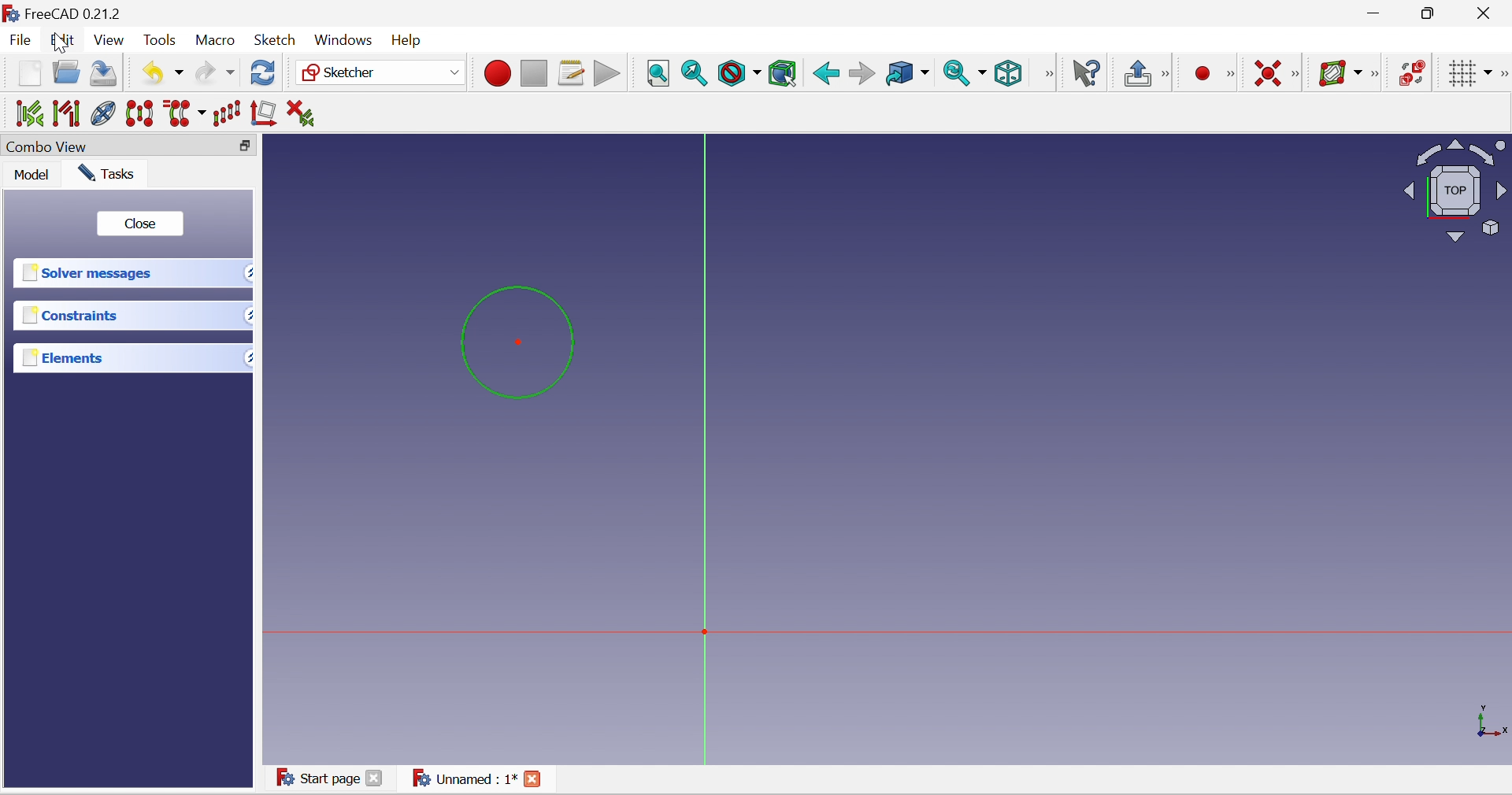 This screenshot has height=795, width=1512. What do you see at coordinates (28, 72) in the screenshot?
I see `New` at bounding box center [28, 72].